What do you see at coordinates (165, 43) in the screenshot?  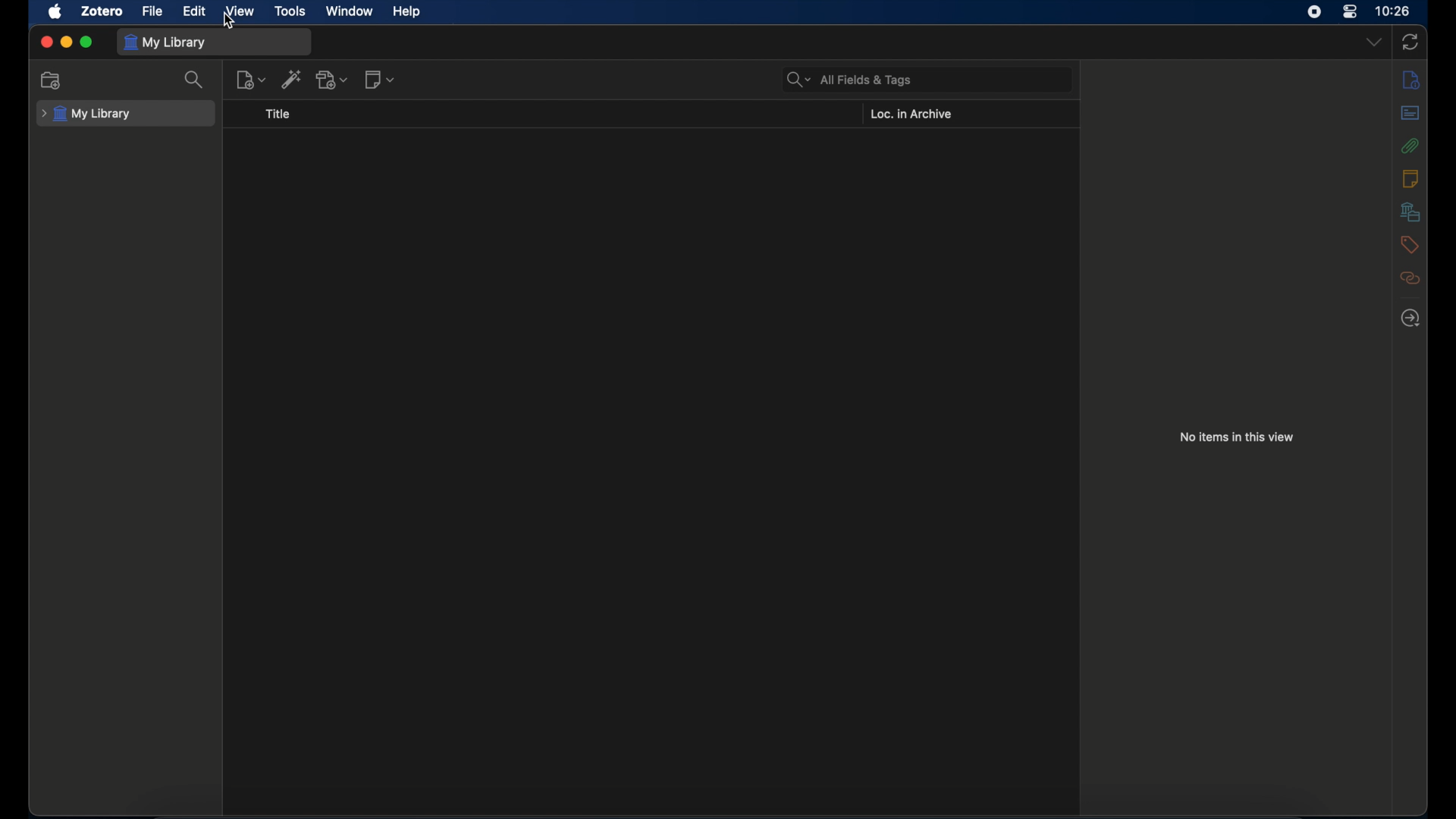 I see `my library` at bounding box center [165, 43].